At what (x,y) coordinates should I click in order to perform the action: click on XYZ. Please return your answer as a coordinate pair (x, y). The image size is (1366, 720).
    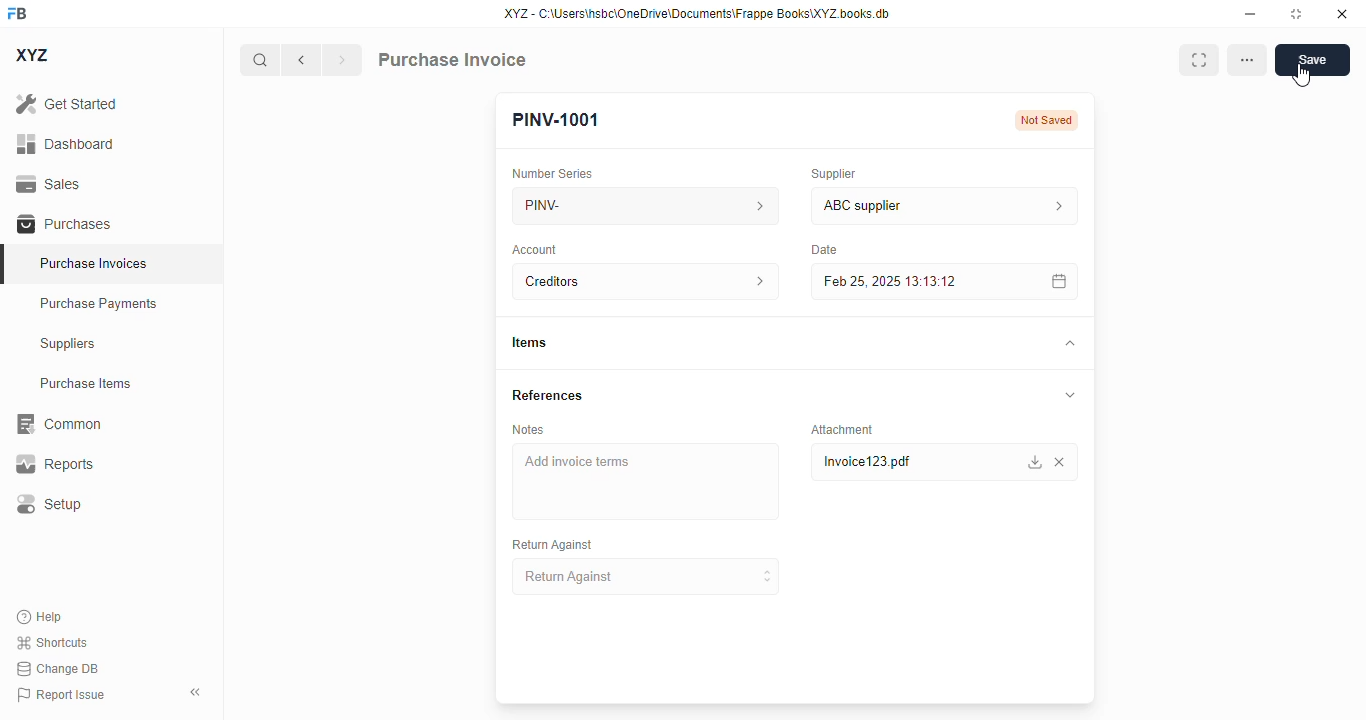
    Looking at the image, I should click on (34, 55).